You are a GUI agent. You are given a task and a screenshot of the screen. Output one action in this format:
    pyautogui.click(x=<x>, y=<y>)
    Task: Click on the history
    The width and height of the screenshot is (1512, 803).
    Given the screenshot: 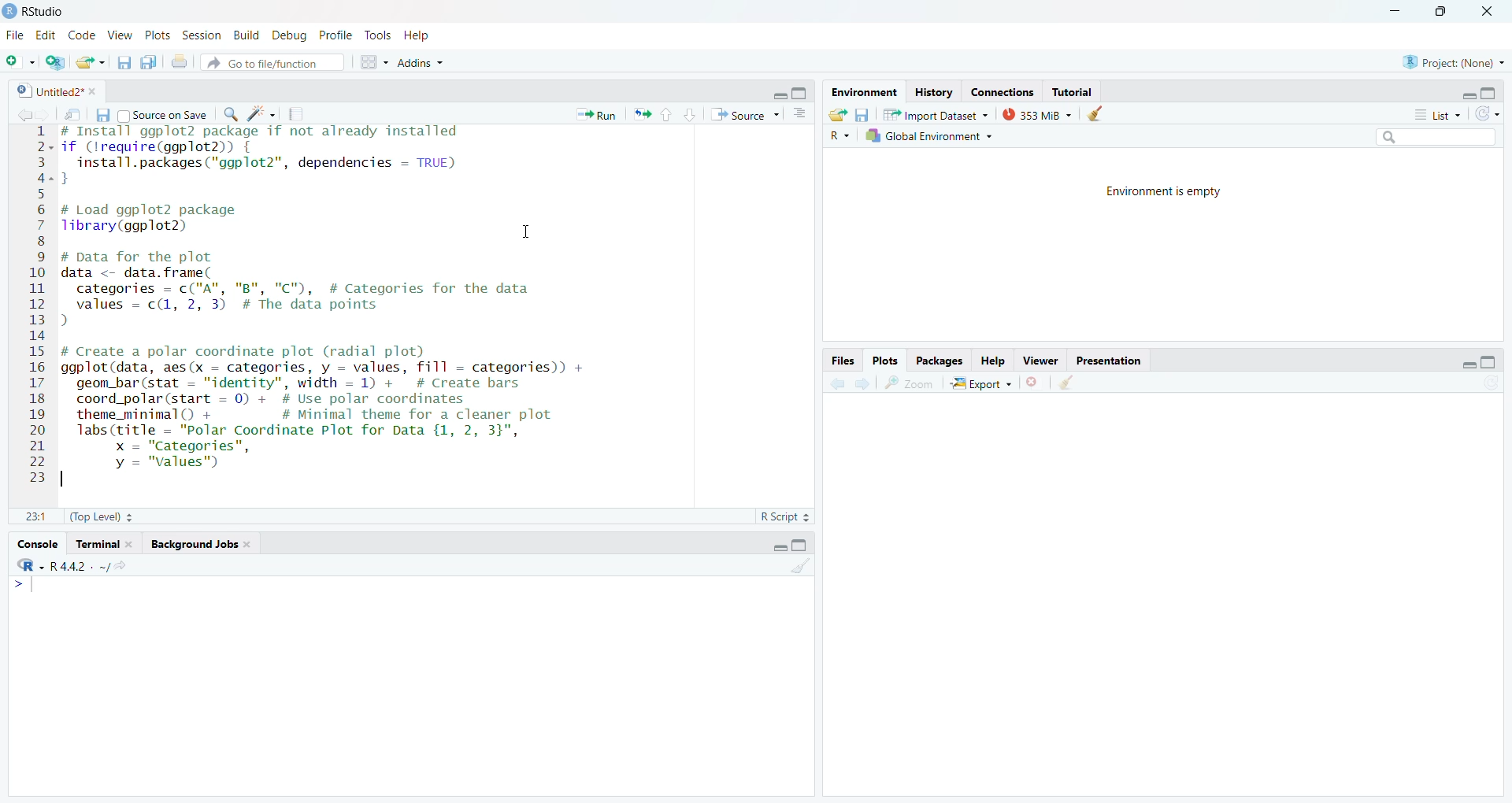 What is the action you would take?
    pyautogui.click(x=934, y=91)
    